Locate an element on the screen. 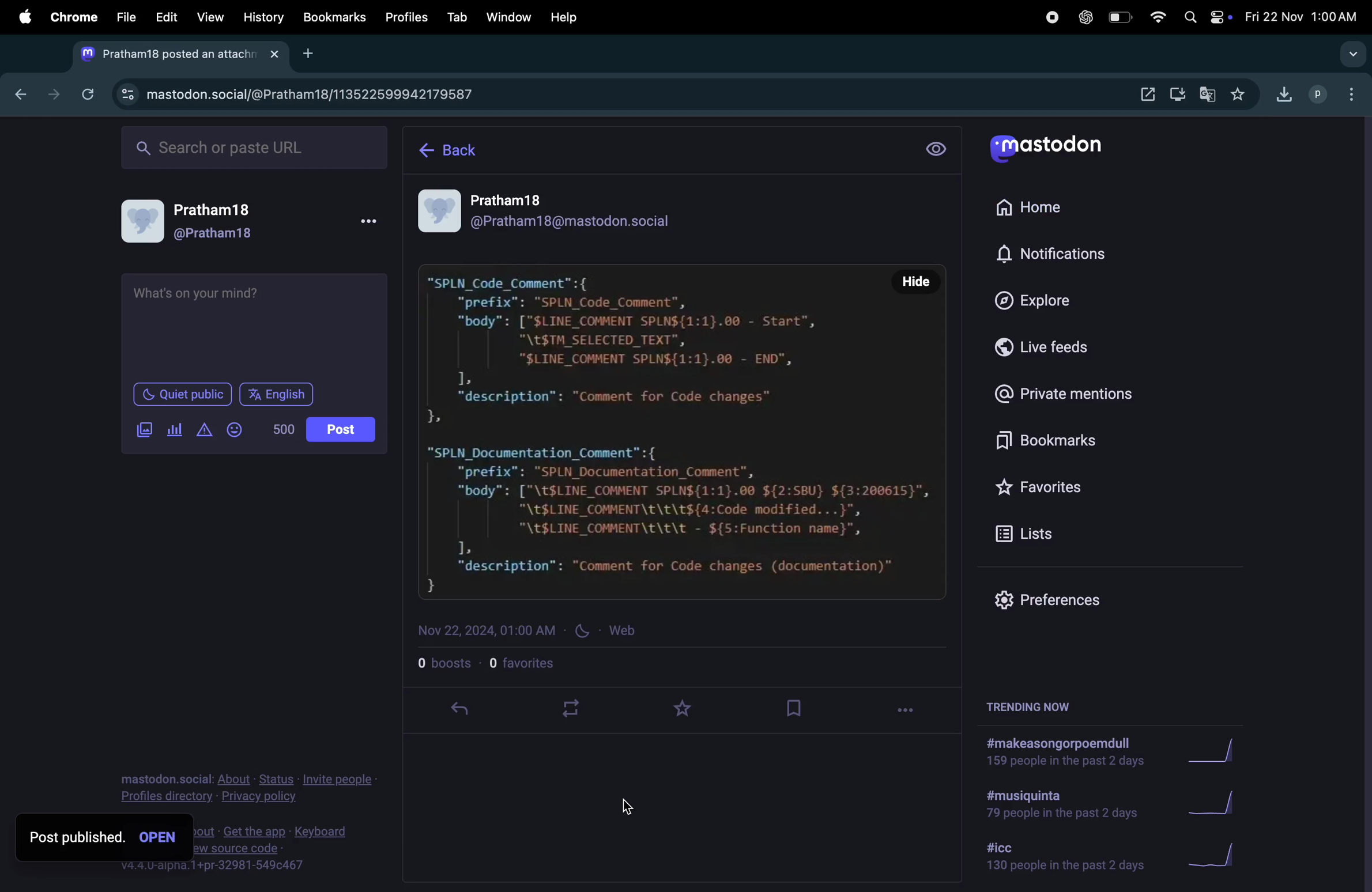 Image resolution: width=1372 pixels, height=892 pixels. looplay back is located at coordinates (576, 709).